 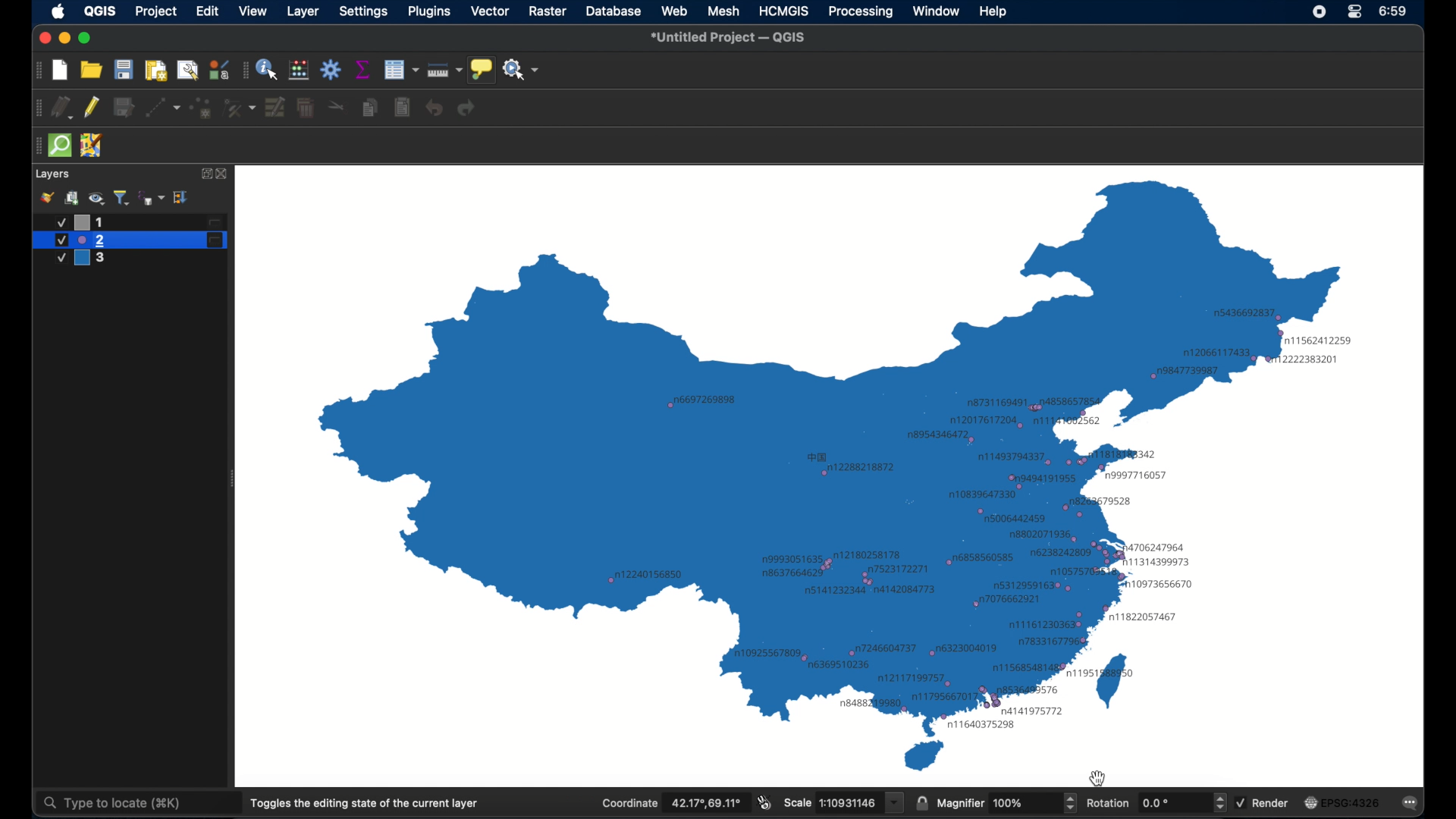 What do you see at coordinates (304, 12) in the screenshot?
I see `layer` at bounding box center [304, 12].